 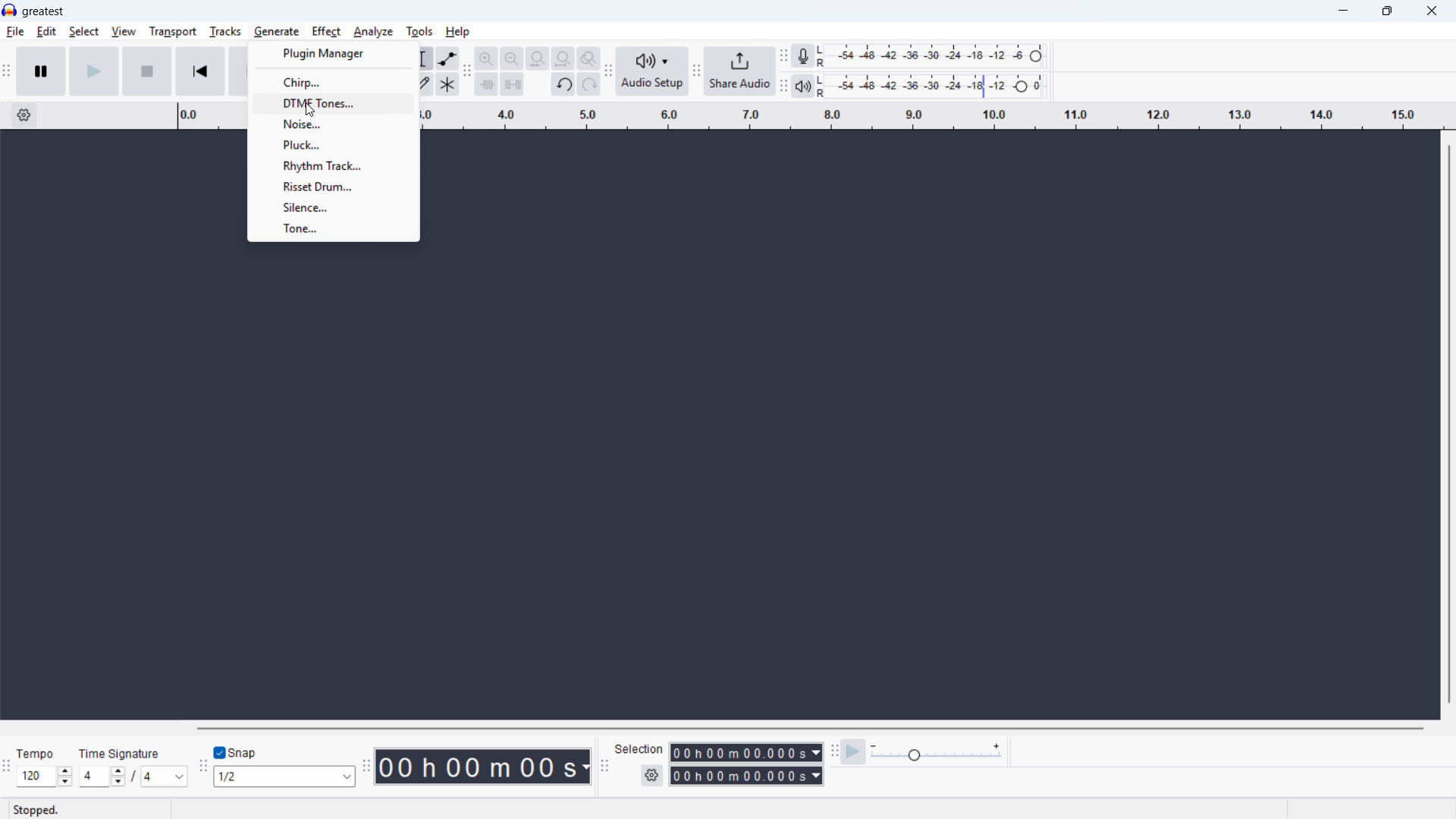 I want to click on envelope tool, so click(x=448, y=58).